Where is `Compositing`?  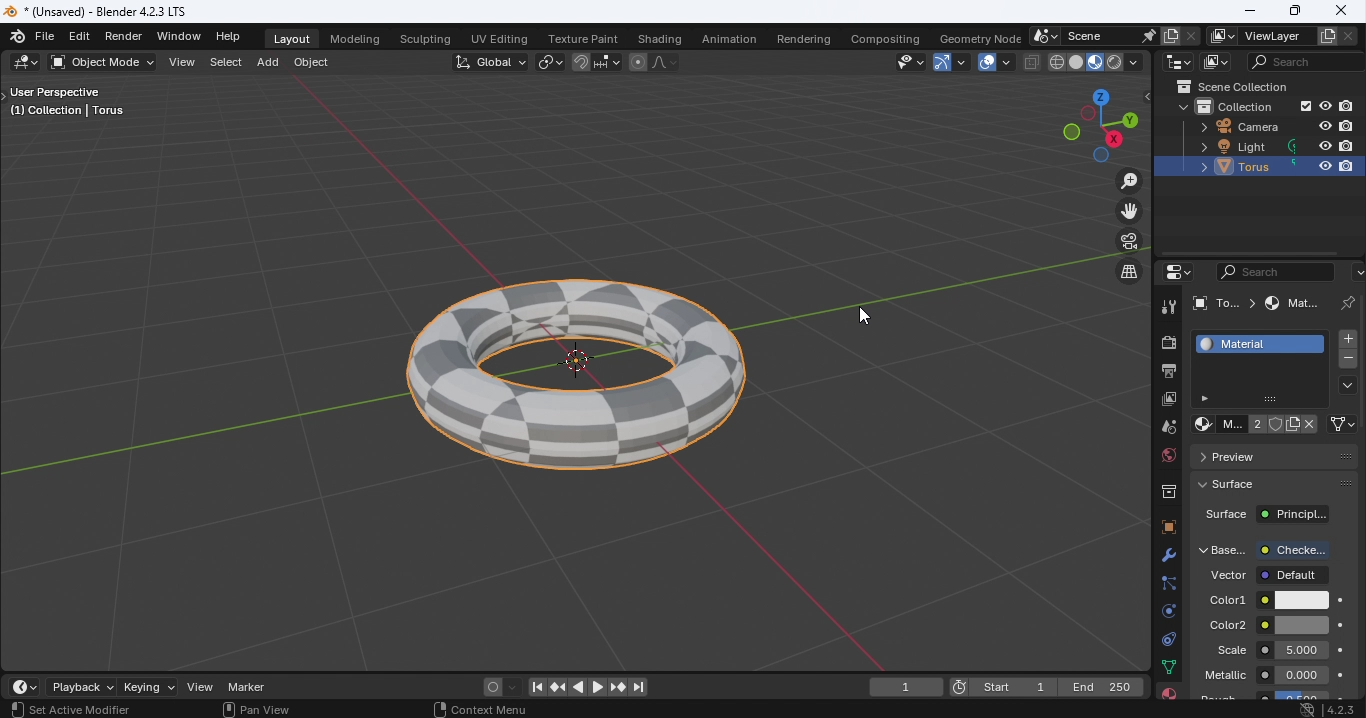 Compositing is located at coordinates (887, 40).